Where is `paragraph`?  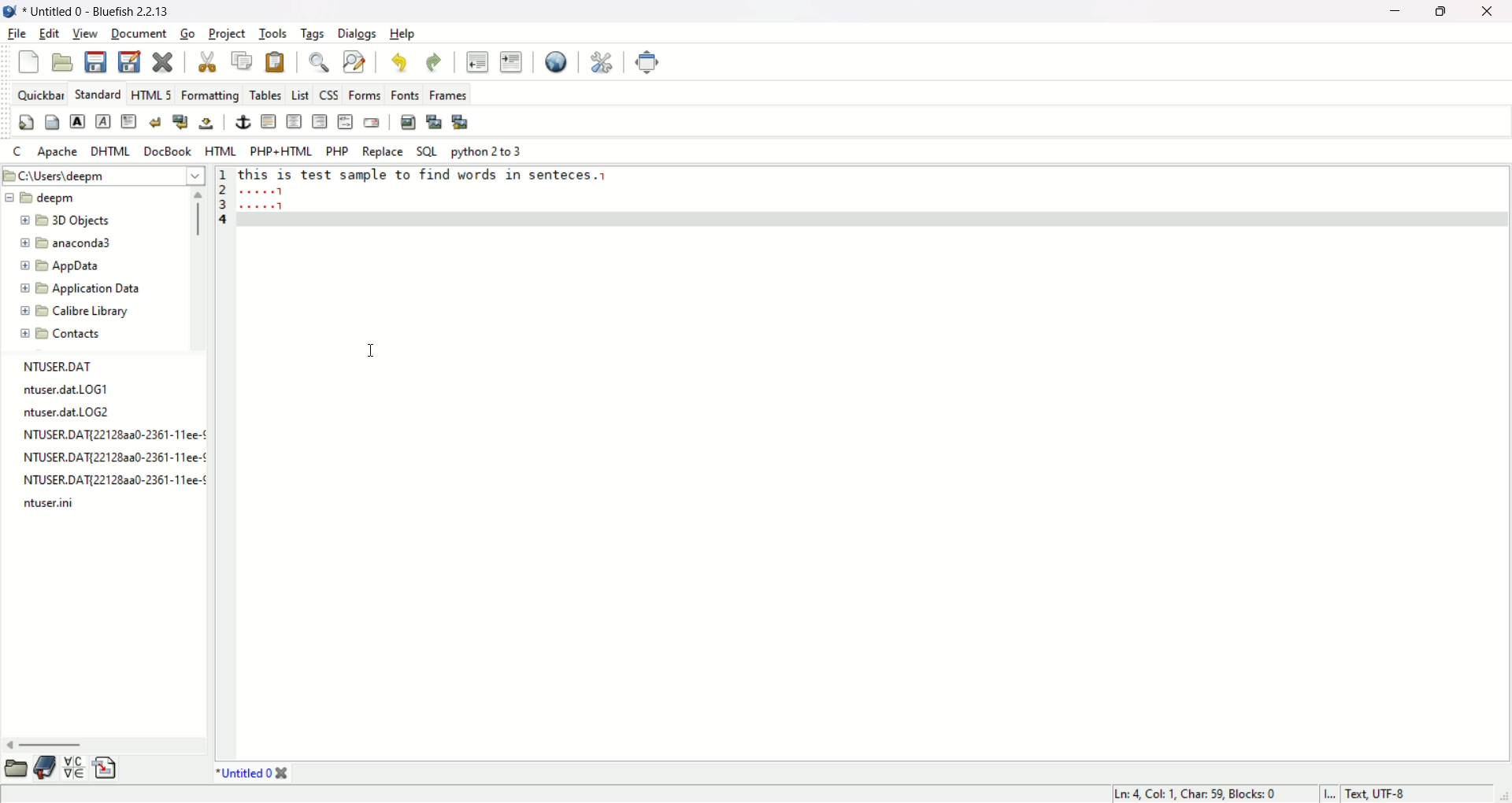
paragraph is located at coordinates (128, 123).